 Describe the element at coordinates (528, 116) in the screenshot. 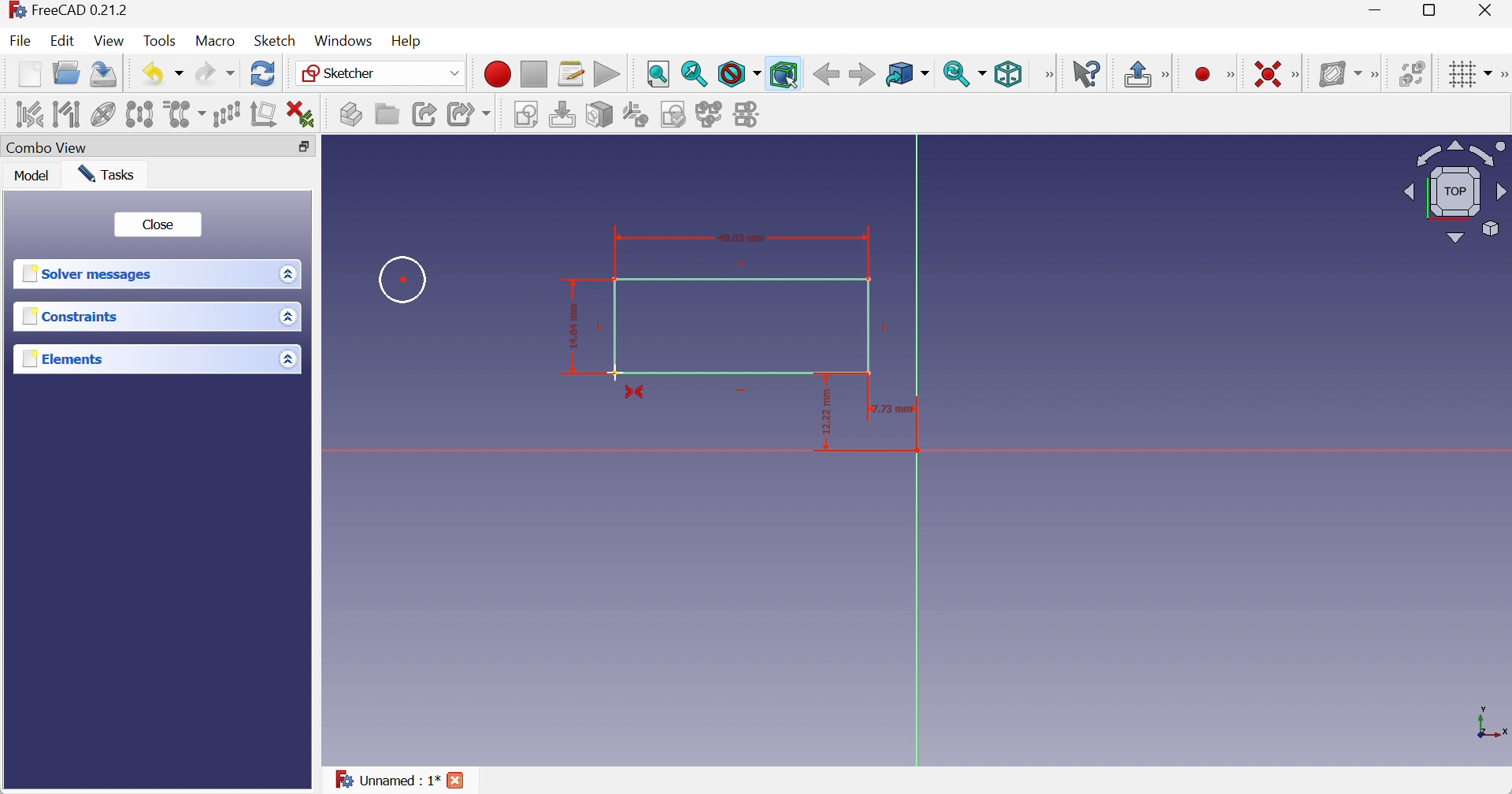

I see `Create sketch` at that location.